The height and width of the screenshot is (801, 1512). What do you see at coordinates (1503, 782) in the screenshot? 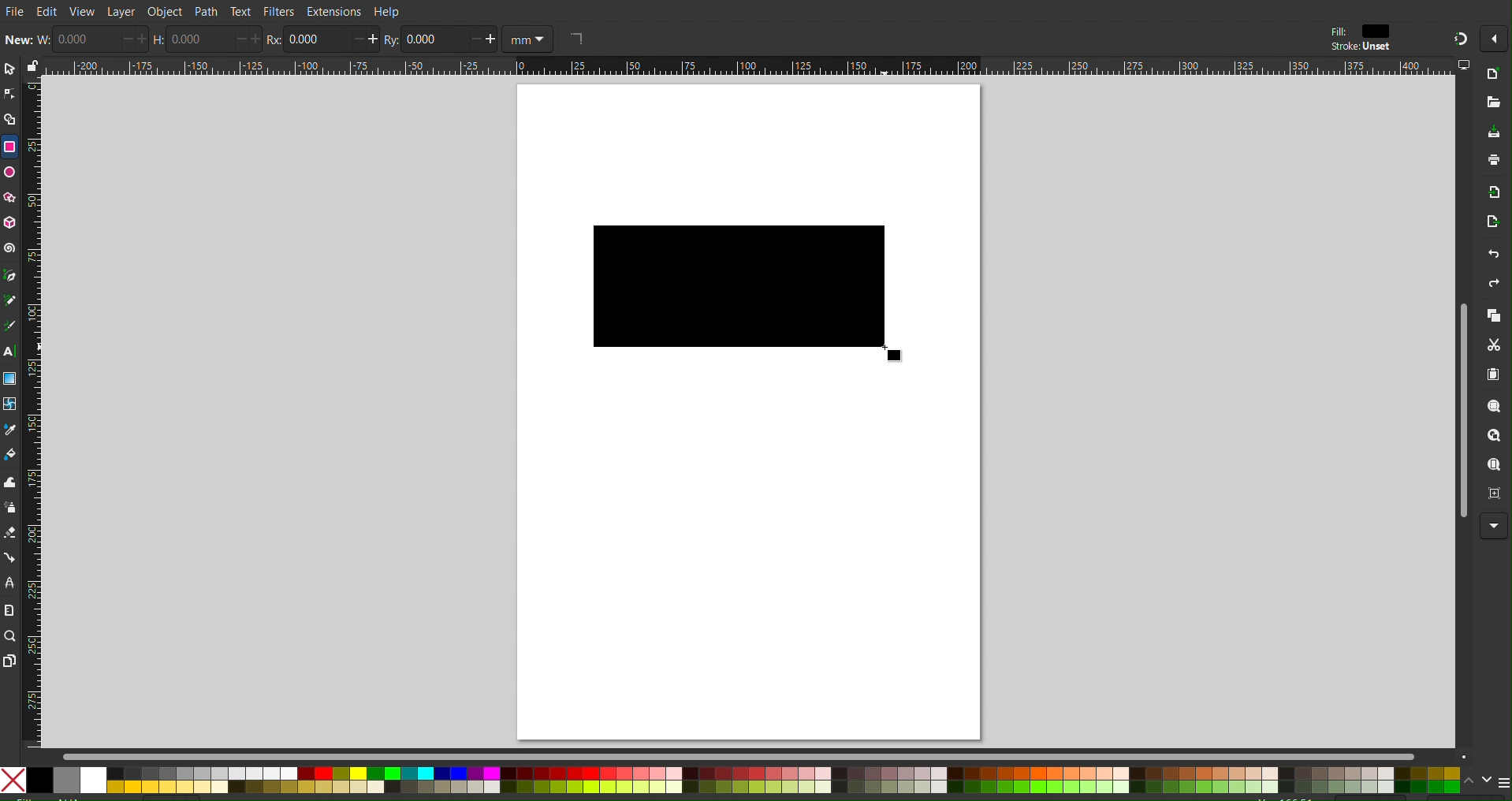
I see `menu` at bounding box center [1503, 782].